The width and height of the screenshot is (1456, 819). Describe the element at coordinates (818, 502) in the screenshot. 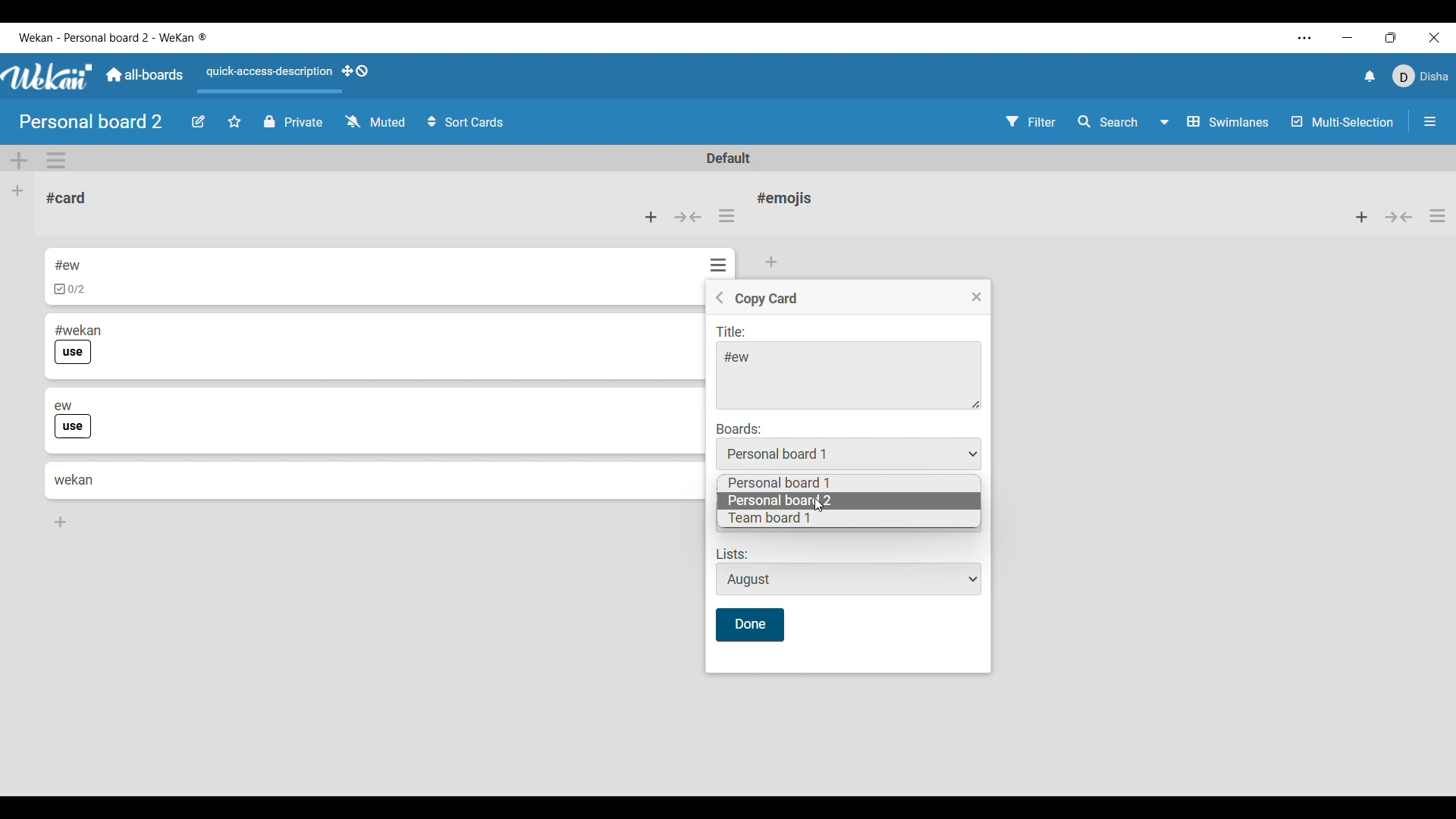

I see `Cursor` at that location.